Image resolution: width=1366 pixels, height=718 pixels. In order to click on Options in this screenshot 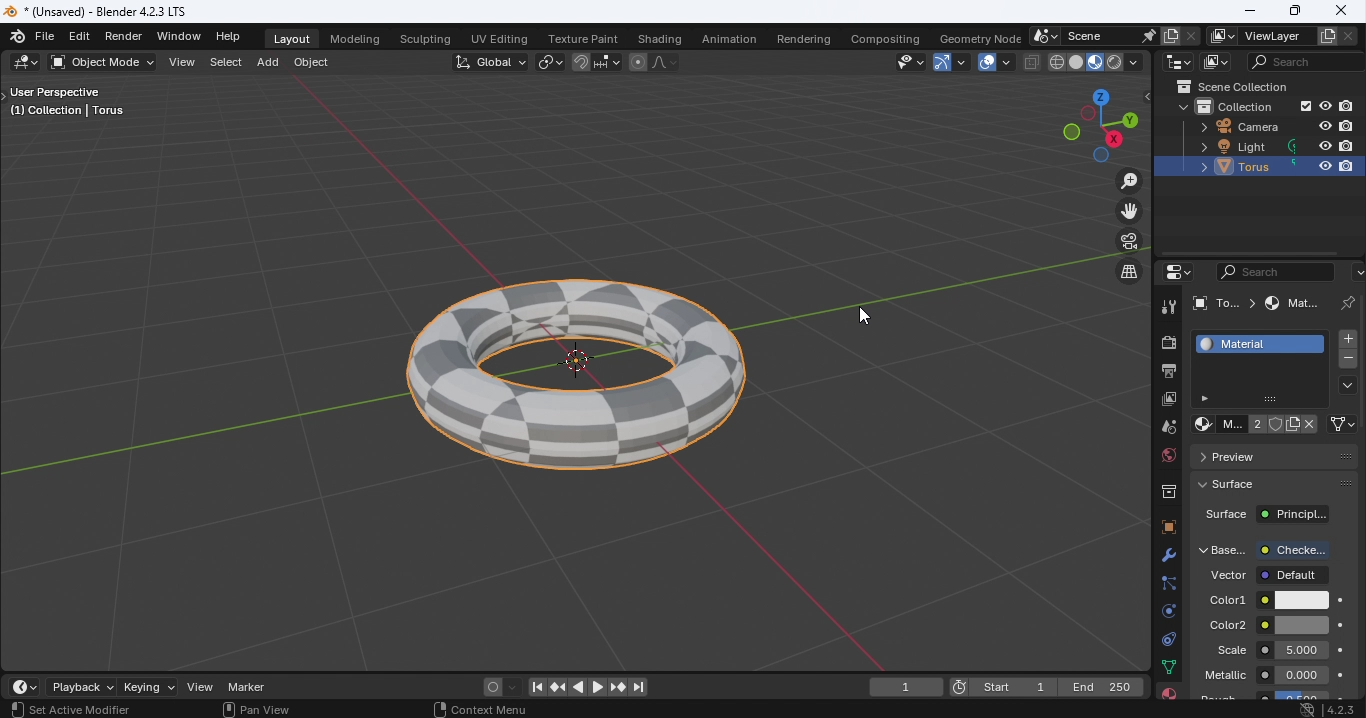, I will do `click(1357, 271)`.